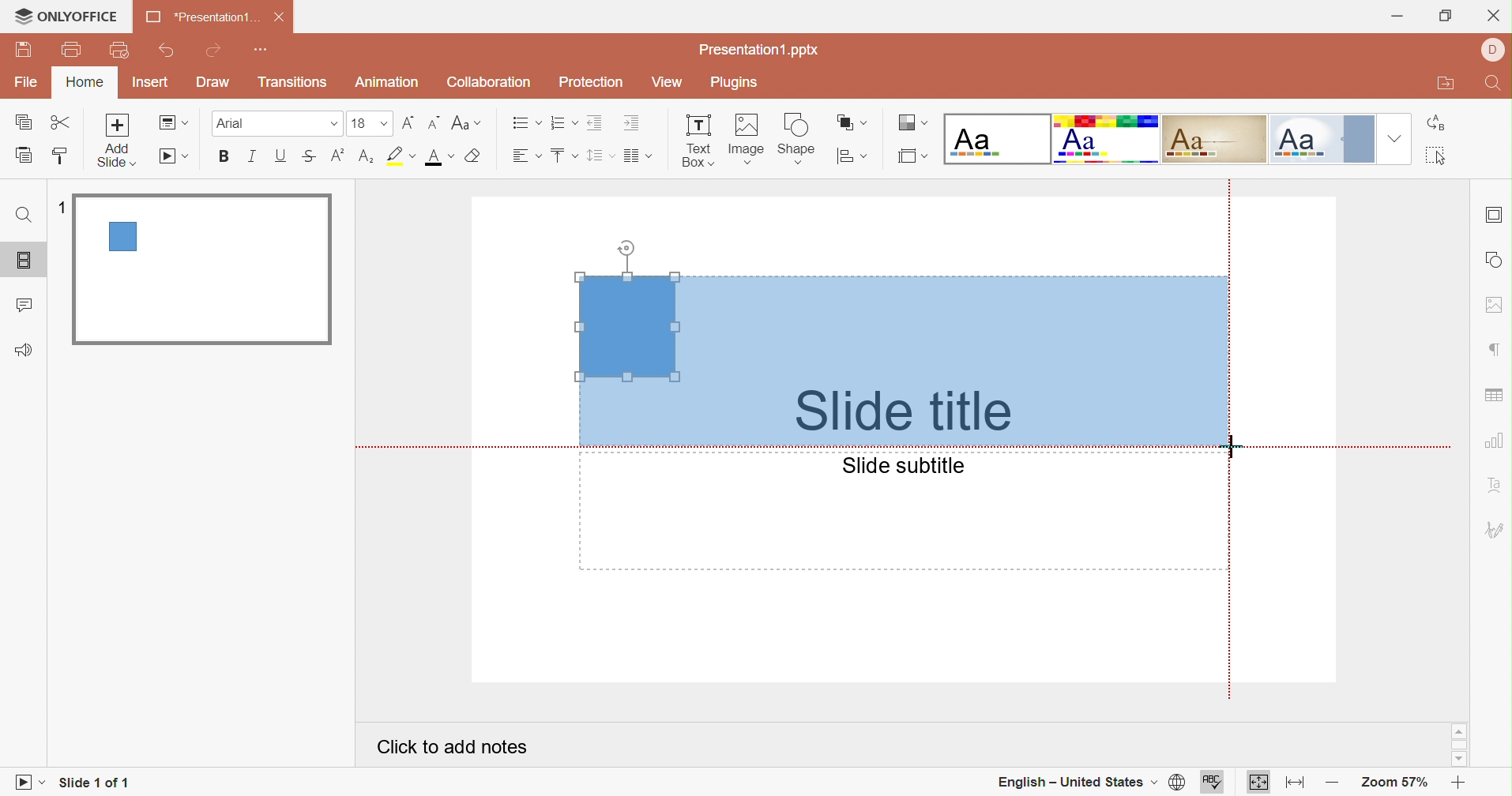 The width and height of the screenshot is (1512, 796). What do you see at coordinates (364, 161) in the screenshot?
I see `Subscript` at bounding box center [364, 161].